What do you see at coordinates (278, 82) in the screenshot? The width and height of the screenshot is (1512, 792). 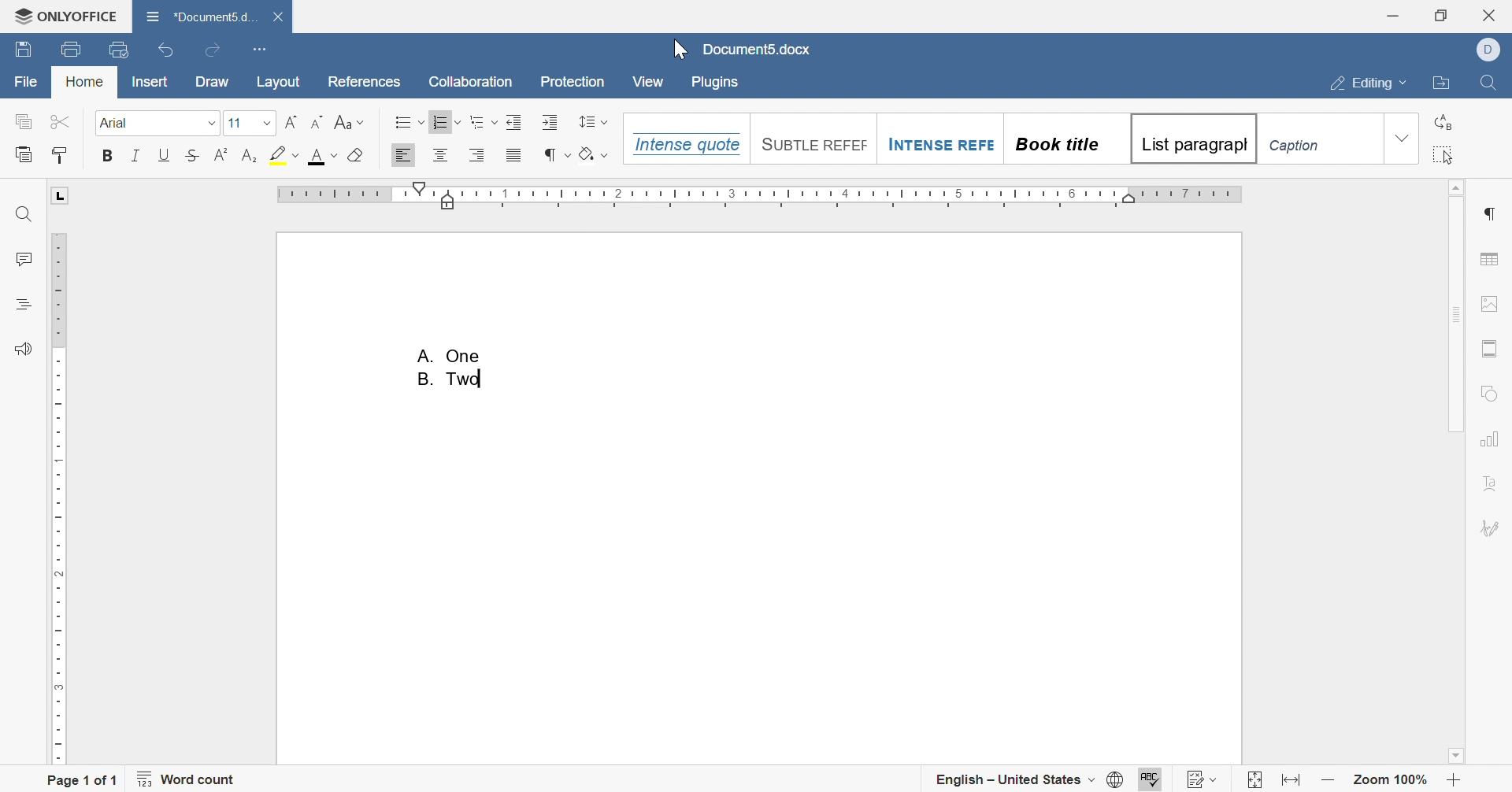 I see `layout` at bounding box center [278, 82].